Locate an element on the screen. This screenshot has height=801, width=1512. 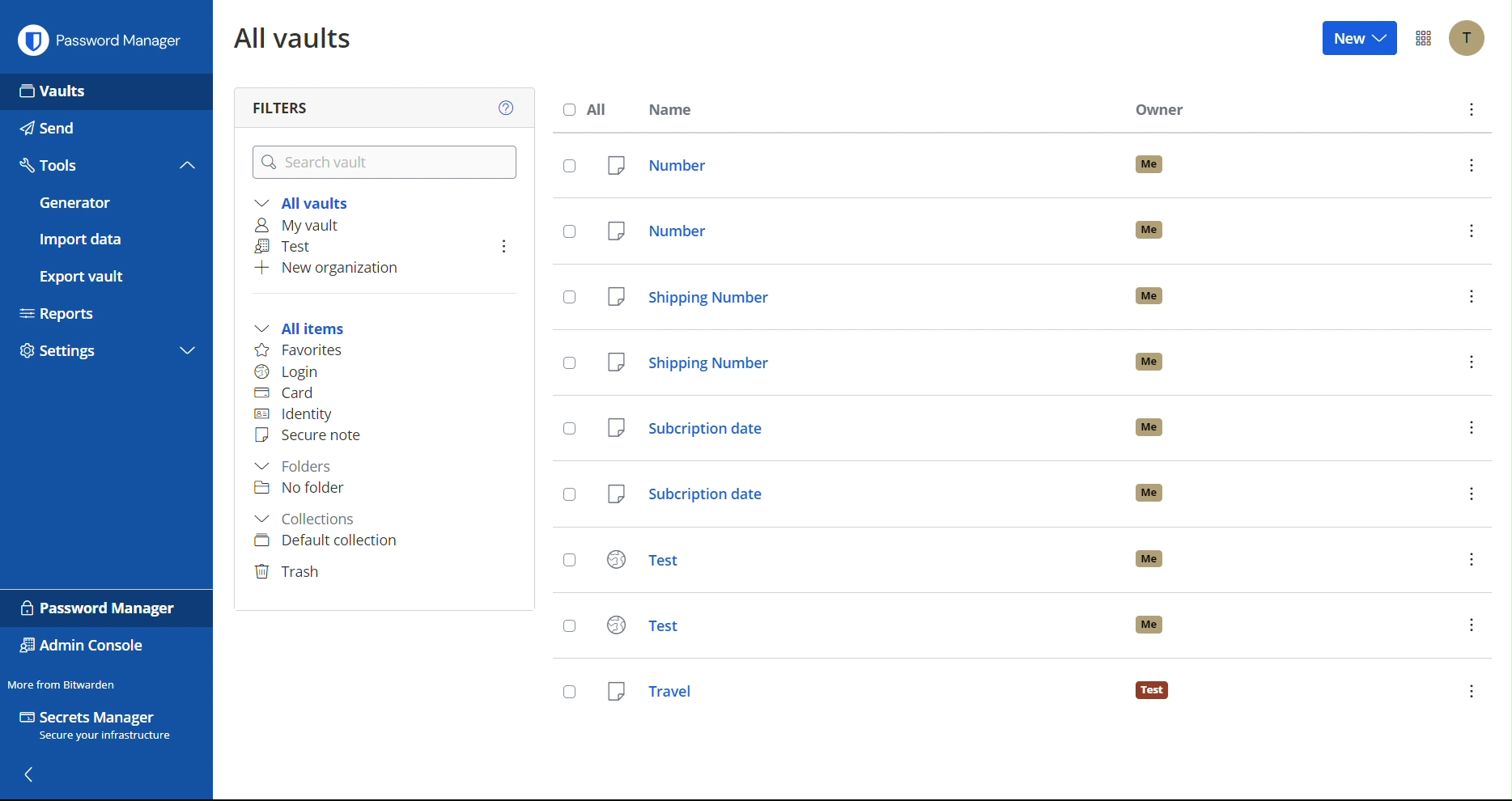
select entry is located at coordinates (568, 232).